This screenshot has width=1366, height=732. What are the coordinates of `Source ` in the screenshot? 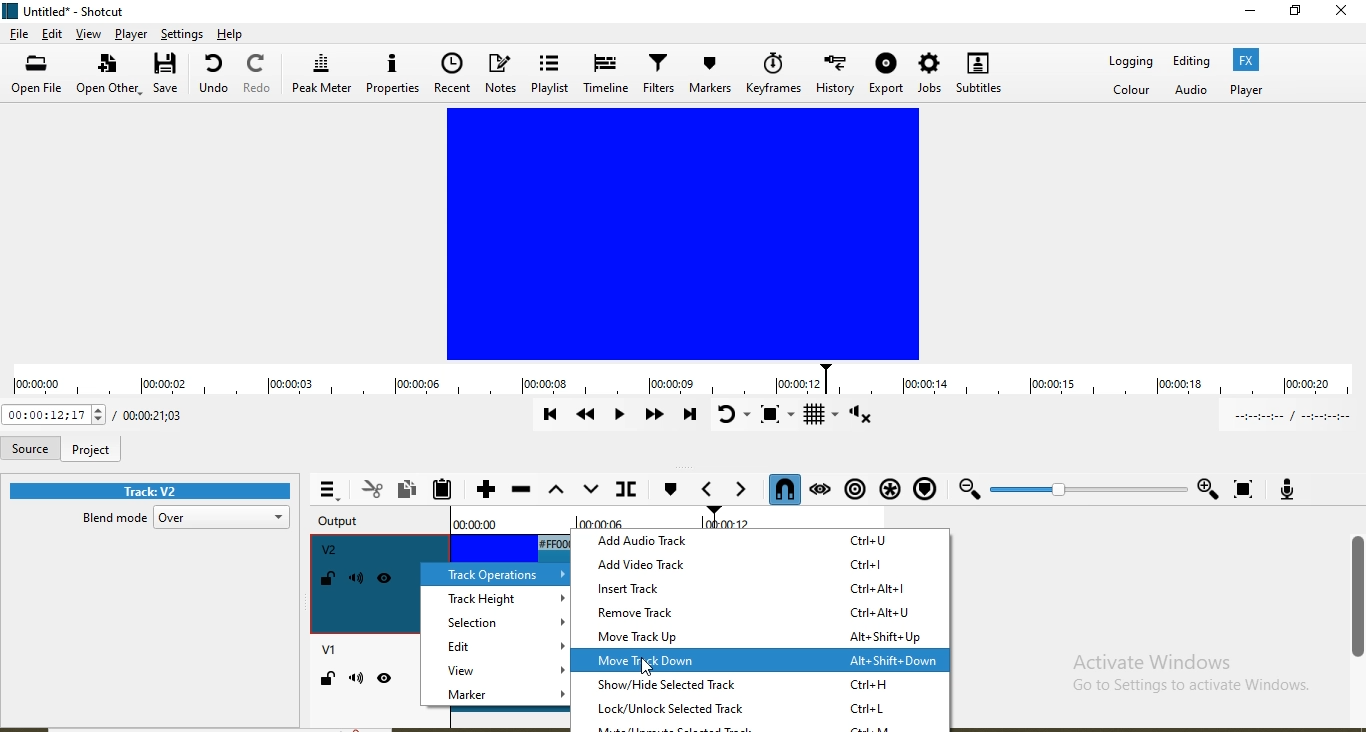 It's located at (29, 449).